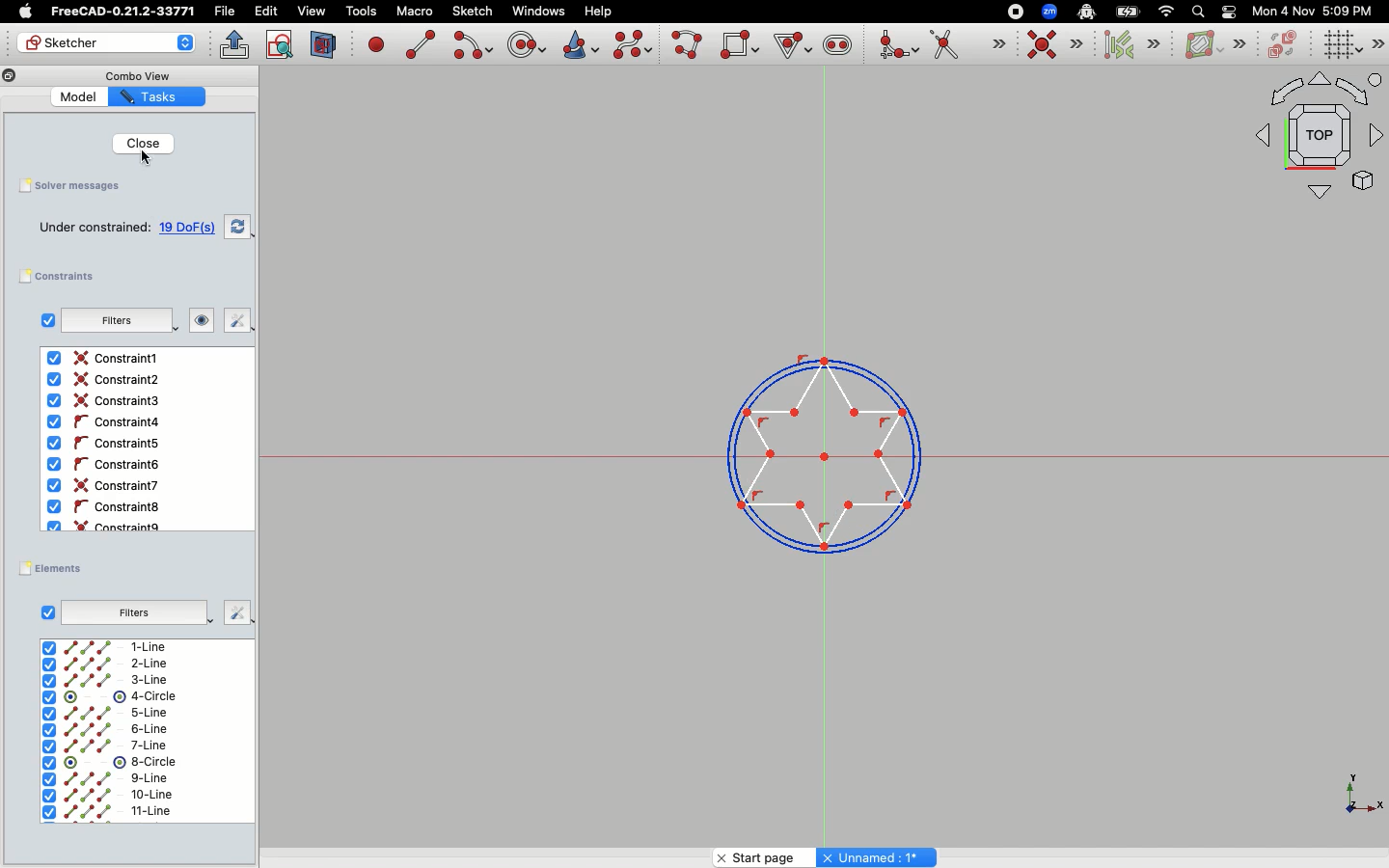 The width and height of the screenshot is (1389, 868). Describe the element at coordinates (107, 795) in the screenshot. I see `10-line` at that location.